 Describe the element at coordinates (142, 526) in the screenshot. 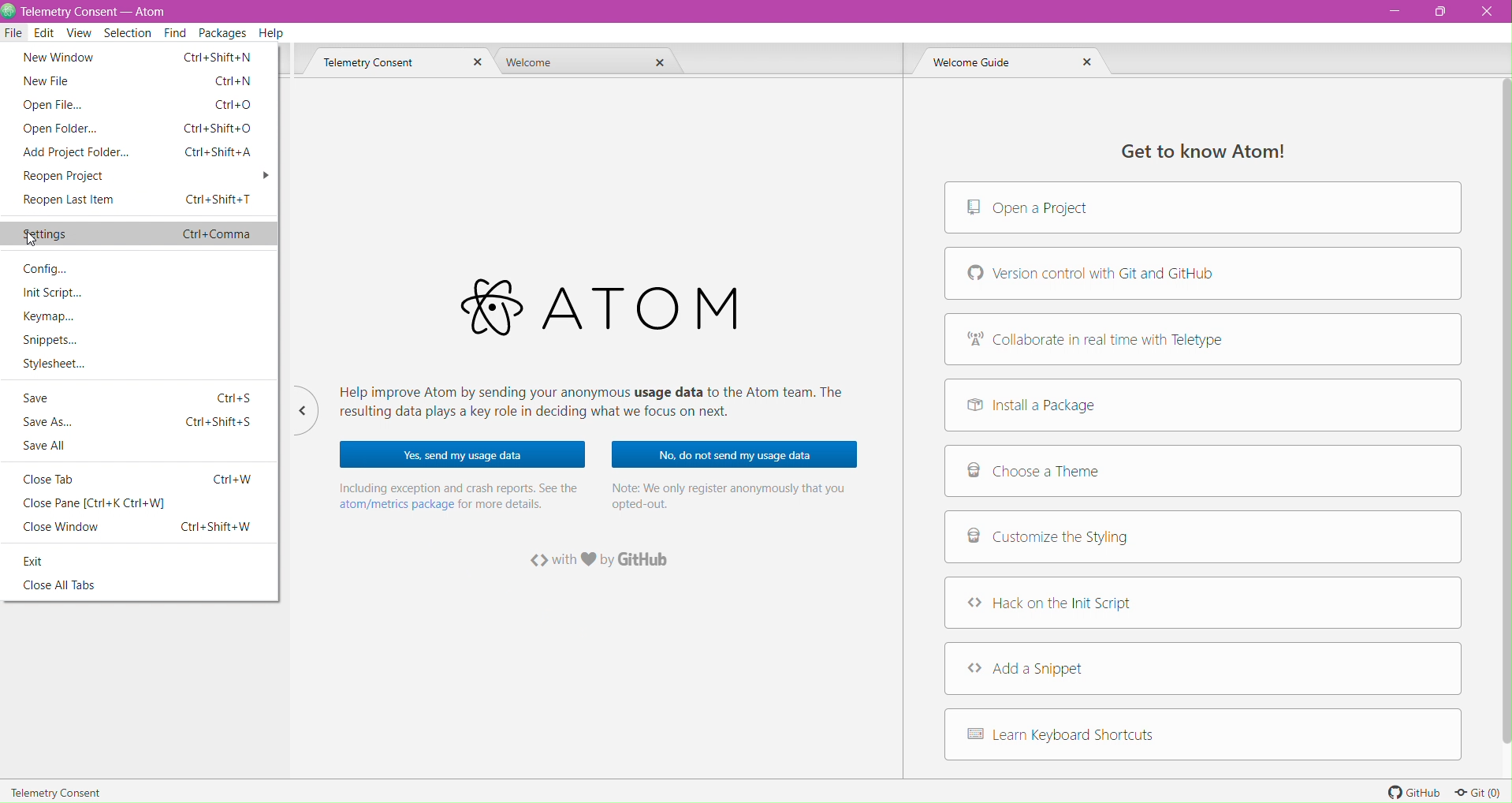

I see `Close Window` at that location.